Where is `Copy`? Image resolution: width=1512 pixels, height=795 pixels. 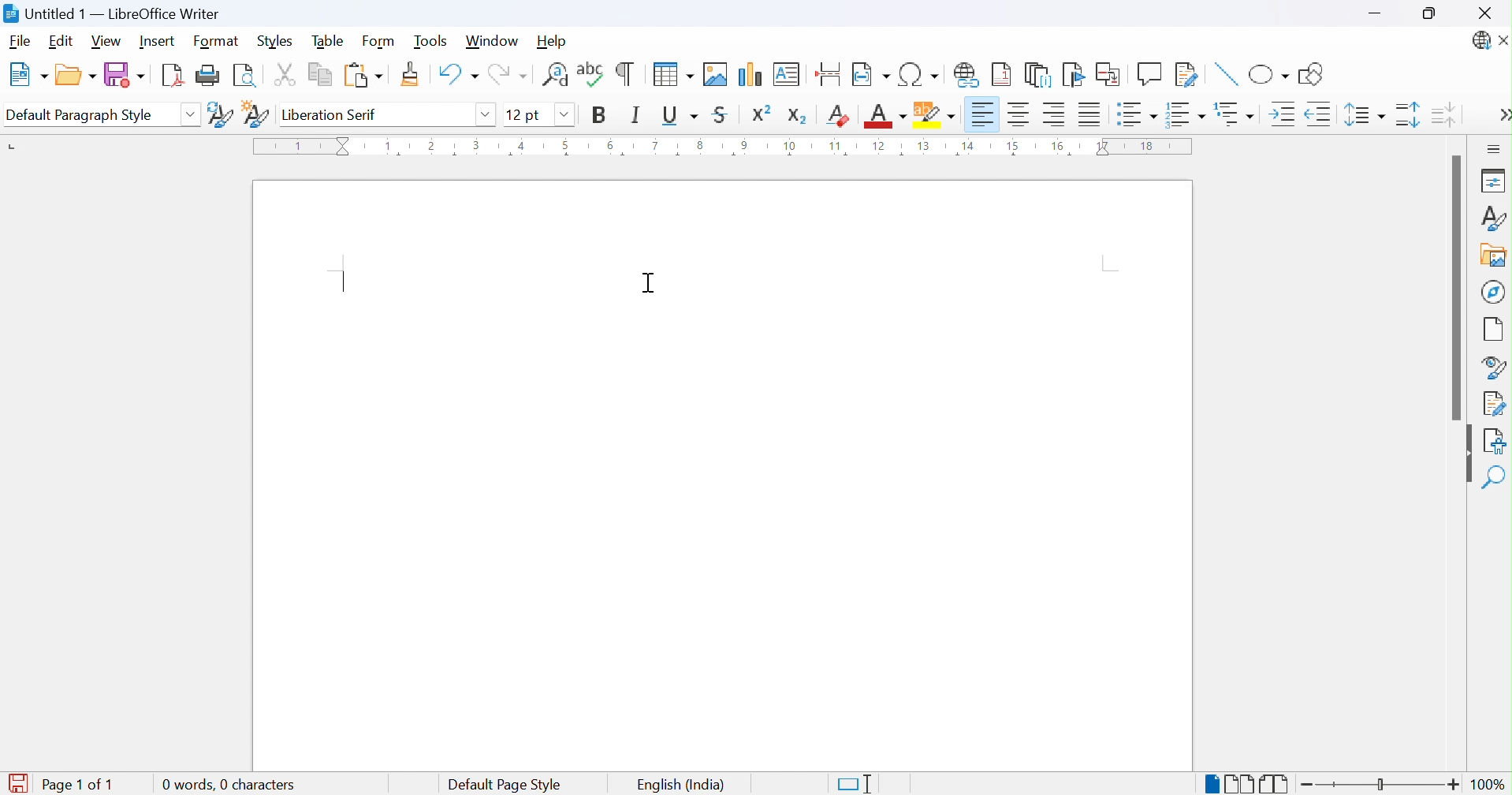
Copy is located at coordinates (319, 76).